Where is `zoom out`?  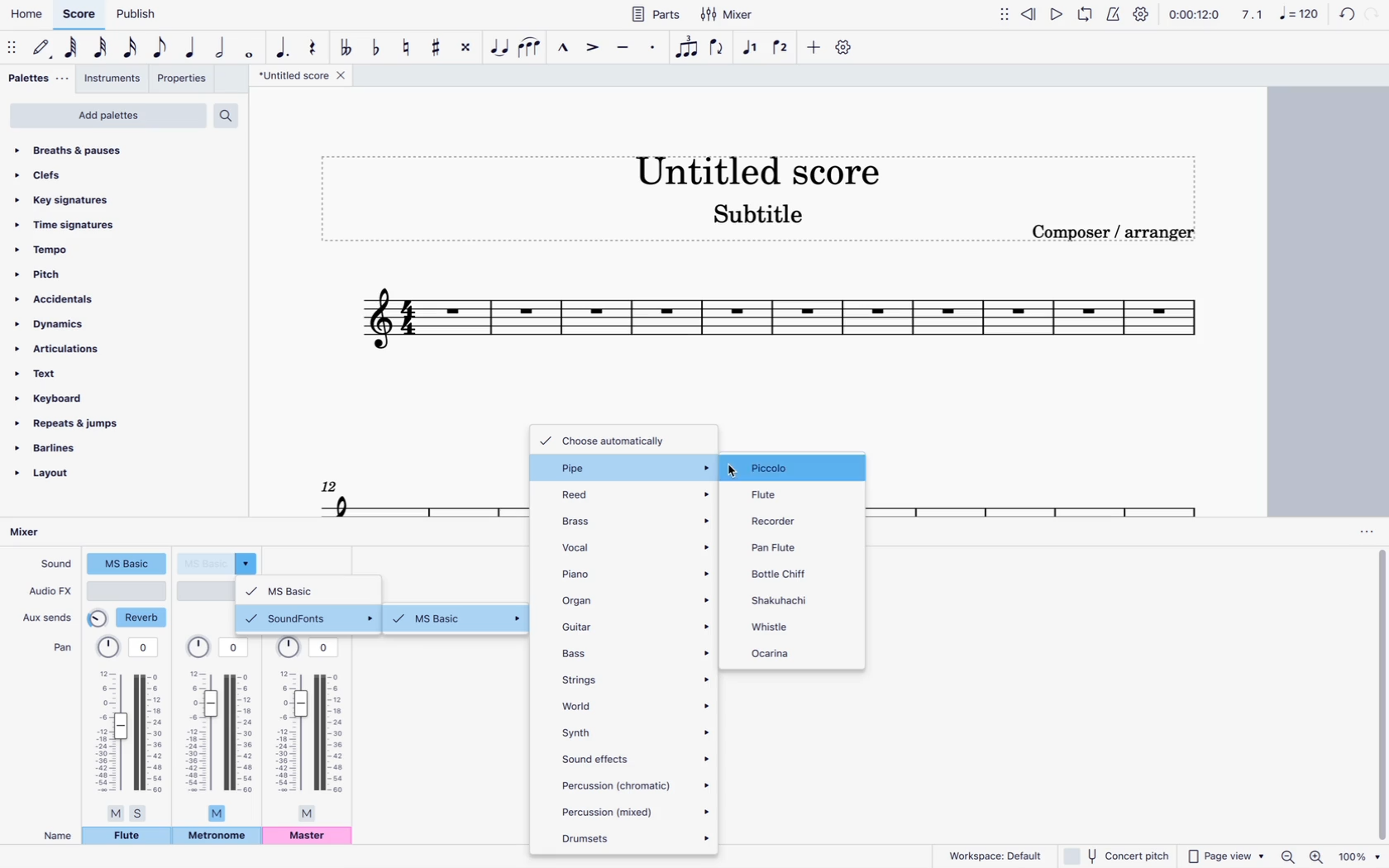
zoom out is located at coordinates (1287, 856).